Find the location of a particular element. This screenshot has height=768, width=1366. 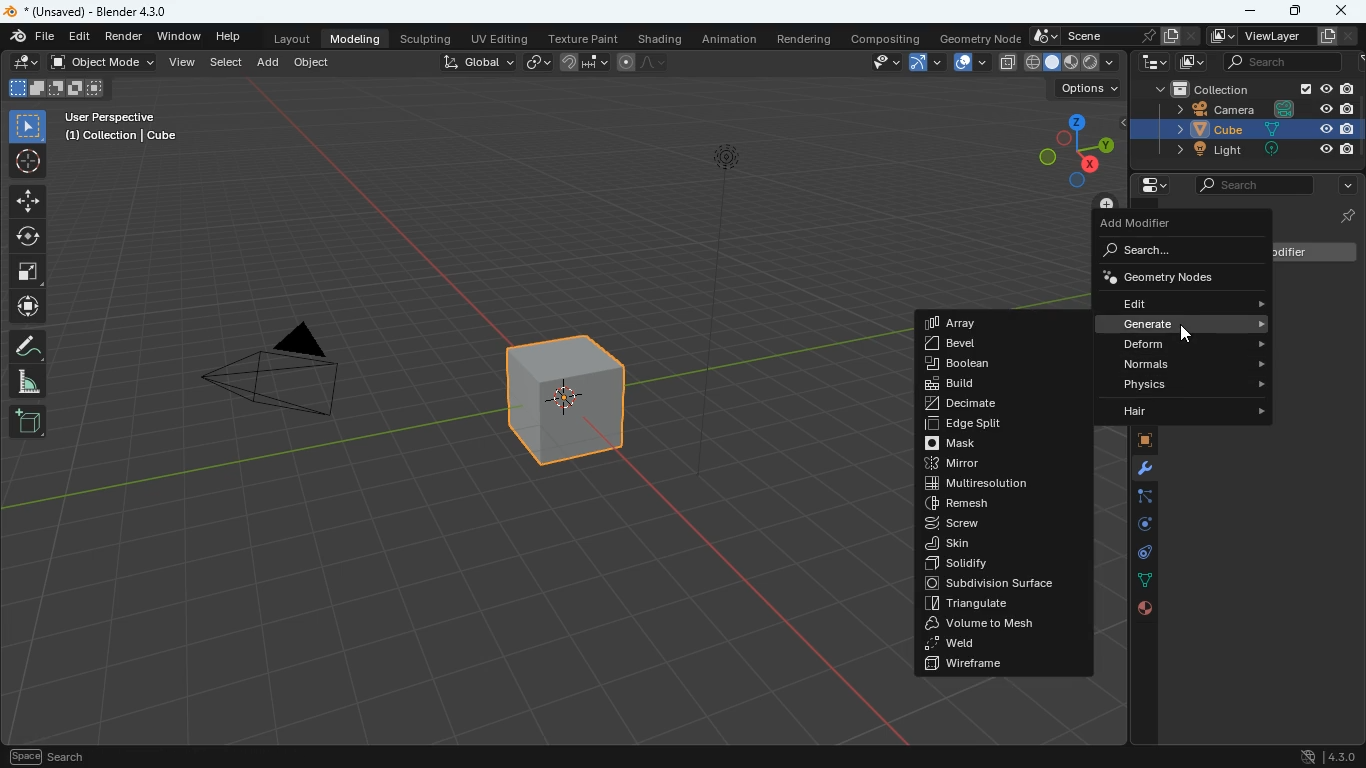

object is located at coordinates (314, 65).